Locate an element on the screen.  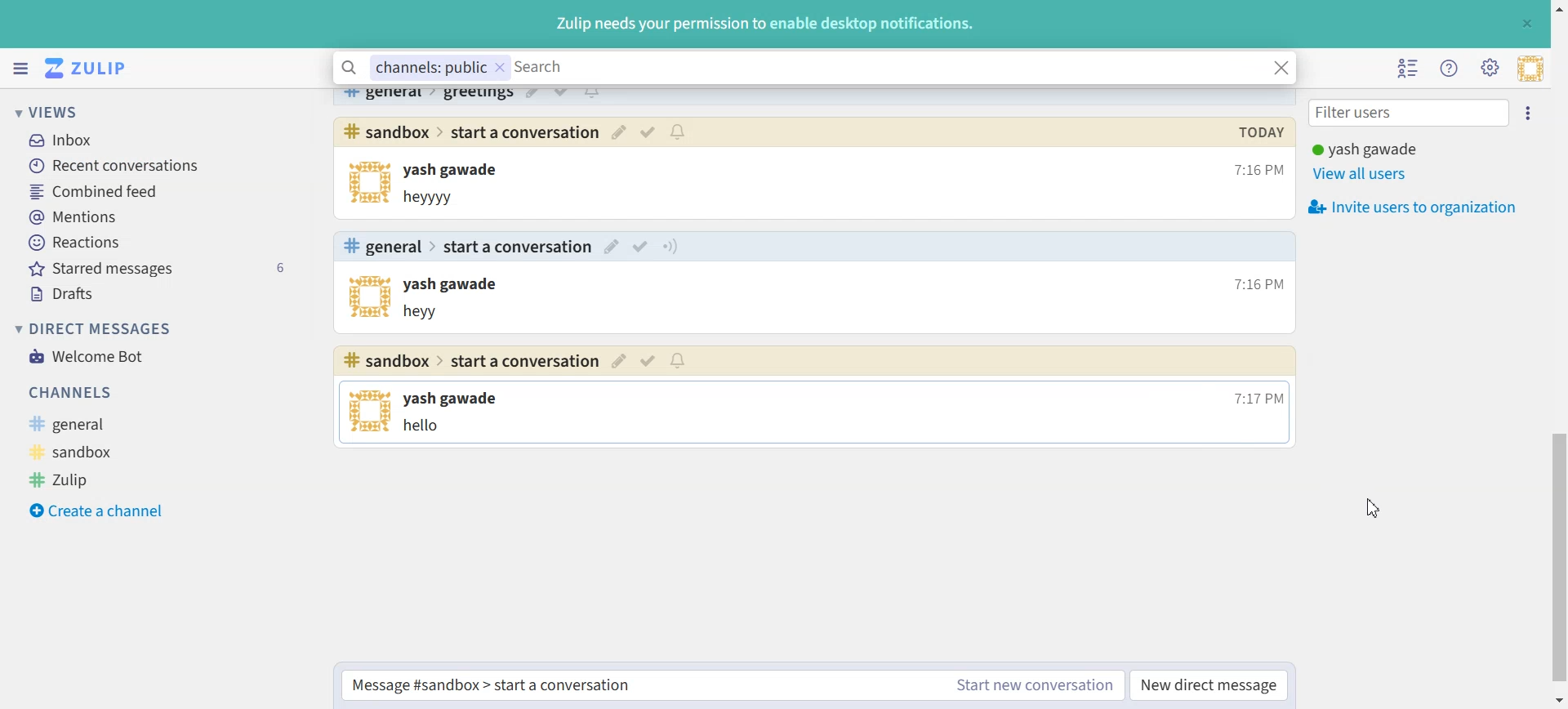
greetings is located at coordinates (478, 96).